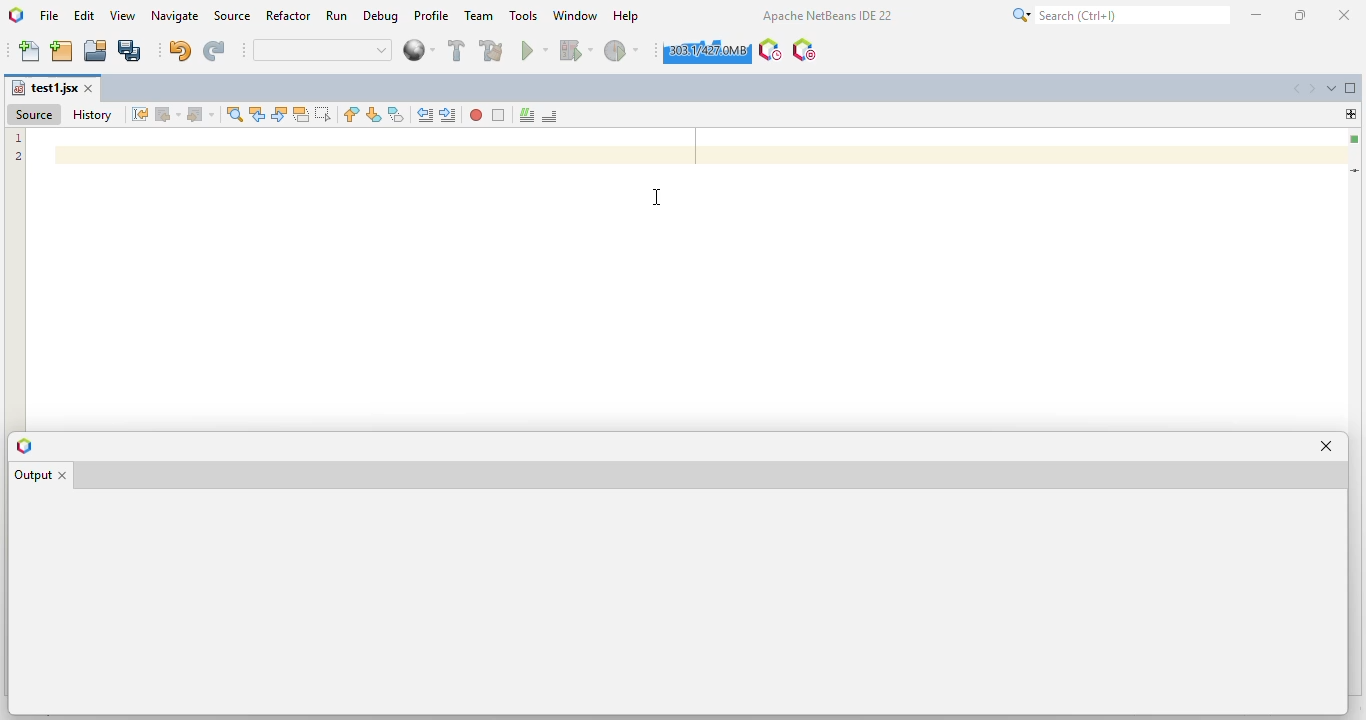 This screenshot has width=1366, height=720. Describe the element at coordinates (657, 196) in the screenshot. I see `cursor` at that location.